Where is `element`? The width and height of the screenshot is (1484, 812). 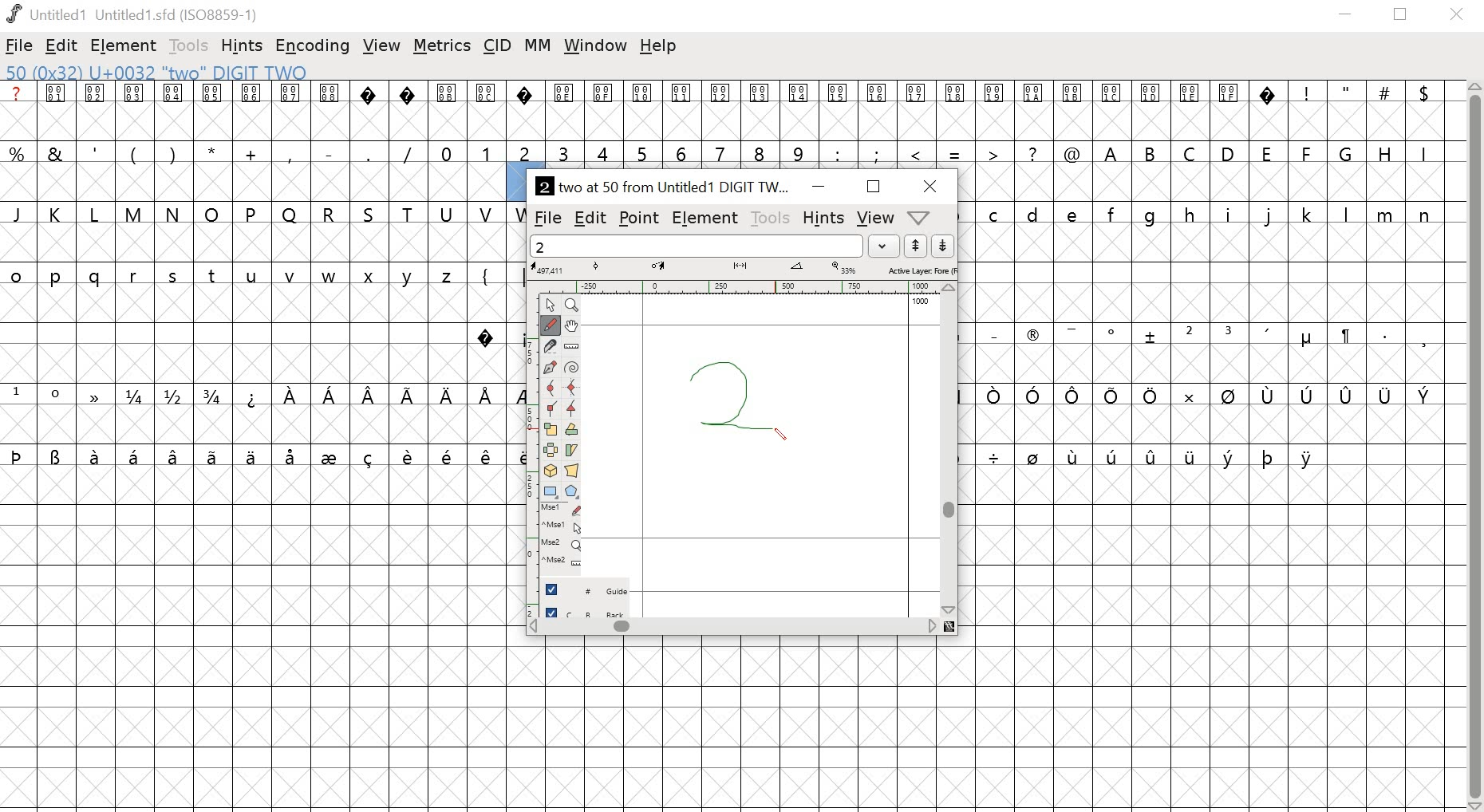 element is located at coordinates (708, 218).